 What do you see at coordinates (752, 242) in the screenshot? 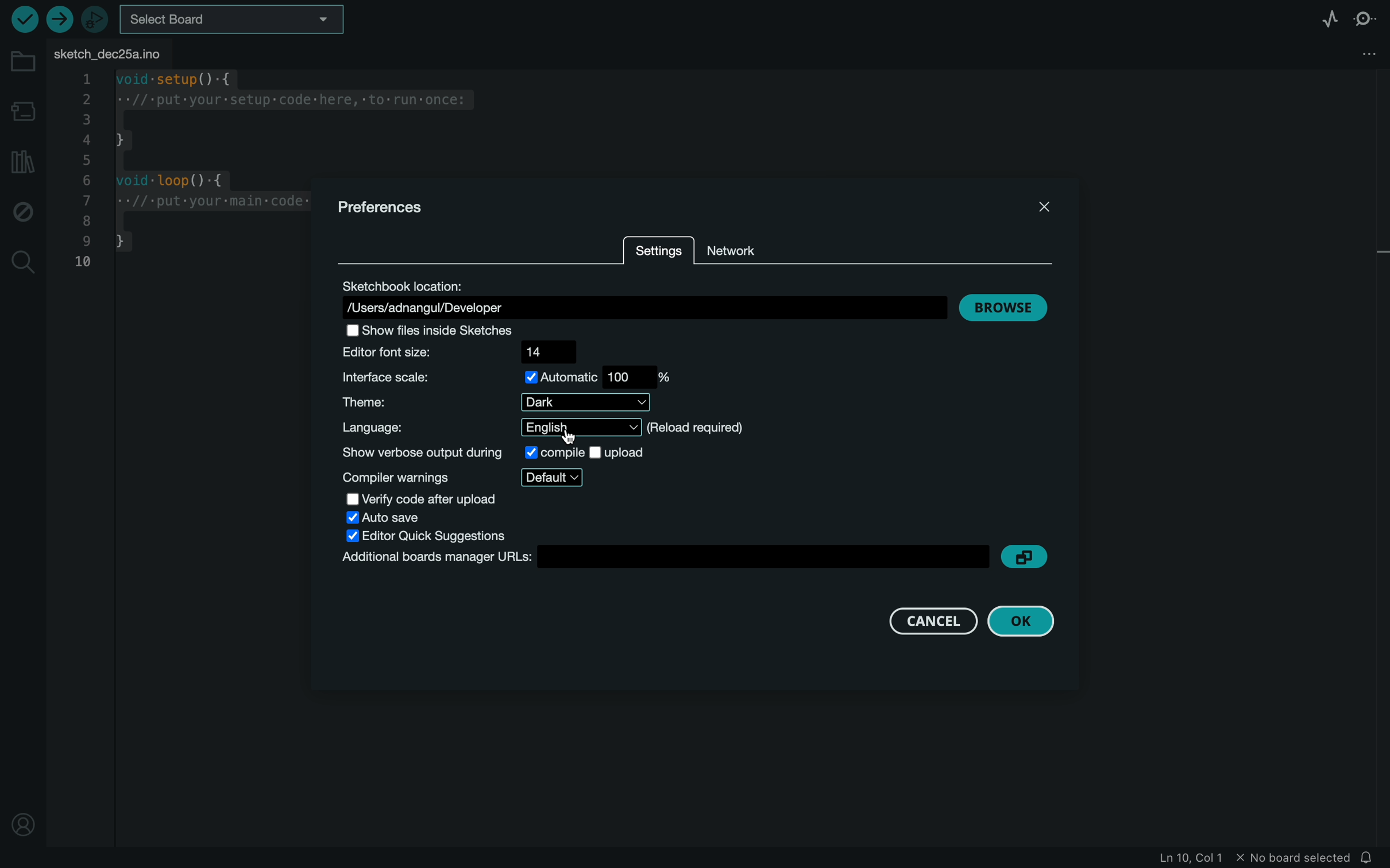
I see `network` at bounding box center [752, 242].